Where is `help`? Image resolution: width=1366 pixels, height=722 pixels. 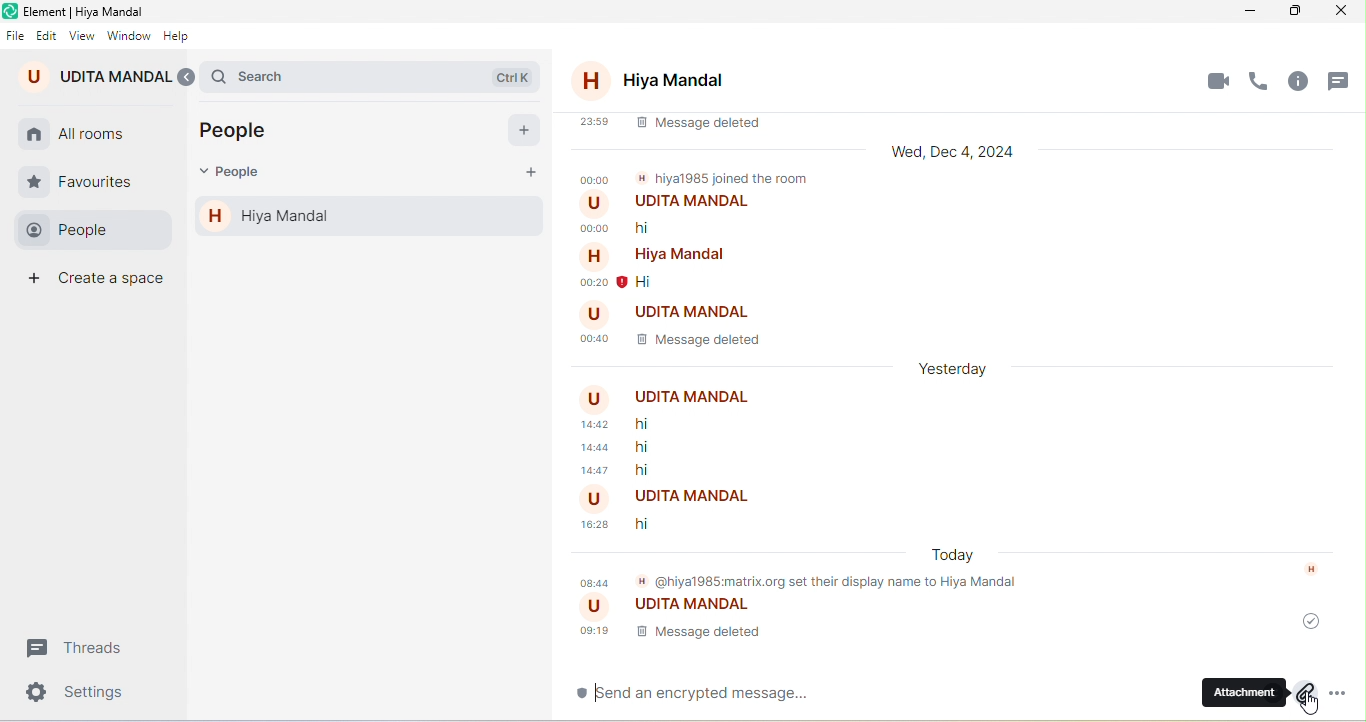 help is located at coordinates (184, 35).